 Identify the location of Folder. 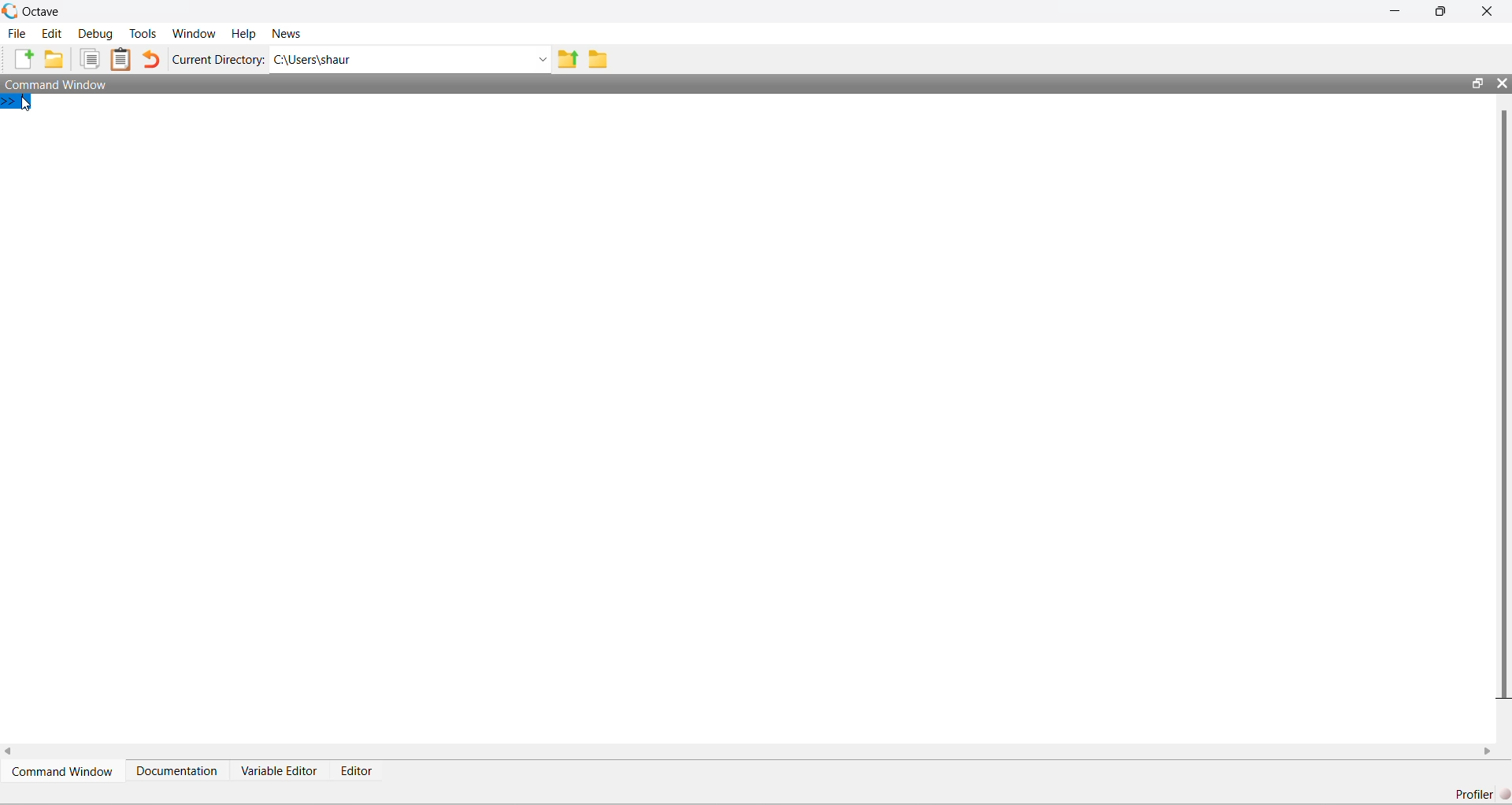
(598, 59).